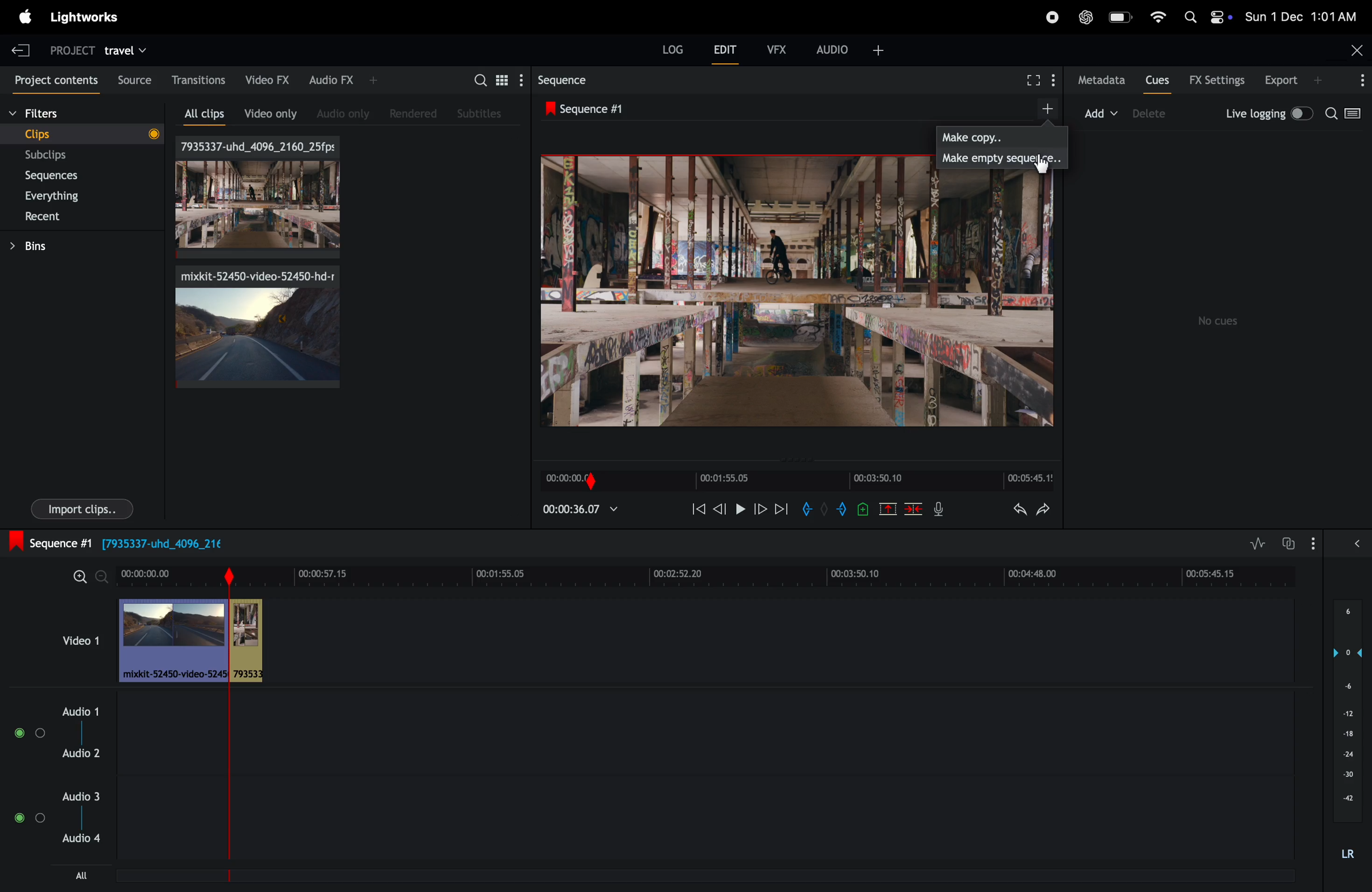 Image resolution: width=1372 pixels, height=892 pixels. What do you see at coordinates (810, 511) in the screenshot?
I see `add in` at bounding box center [810, 511].